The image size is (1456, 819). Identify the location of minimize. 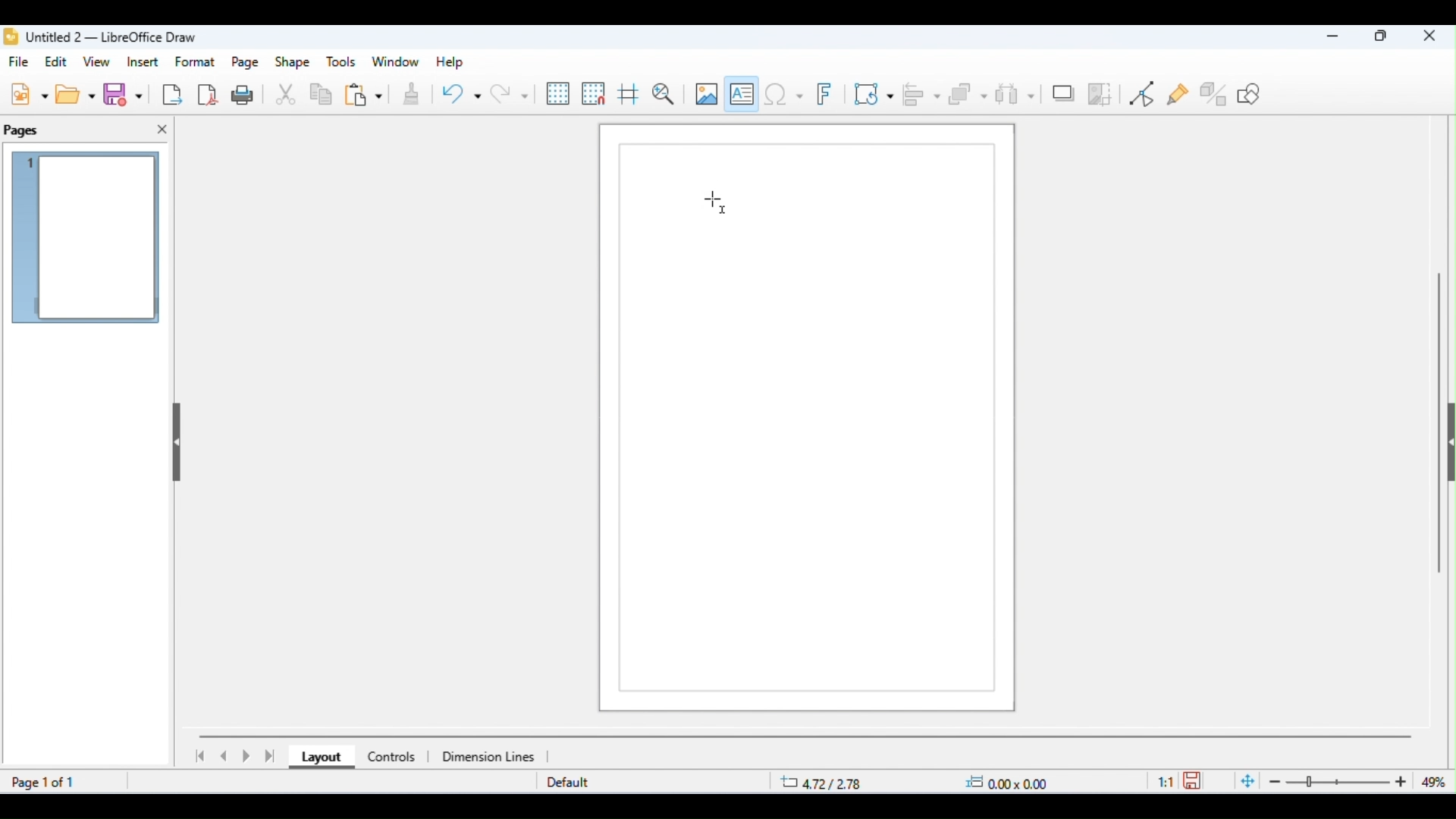
(1328, 39).